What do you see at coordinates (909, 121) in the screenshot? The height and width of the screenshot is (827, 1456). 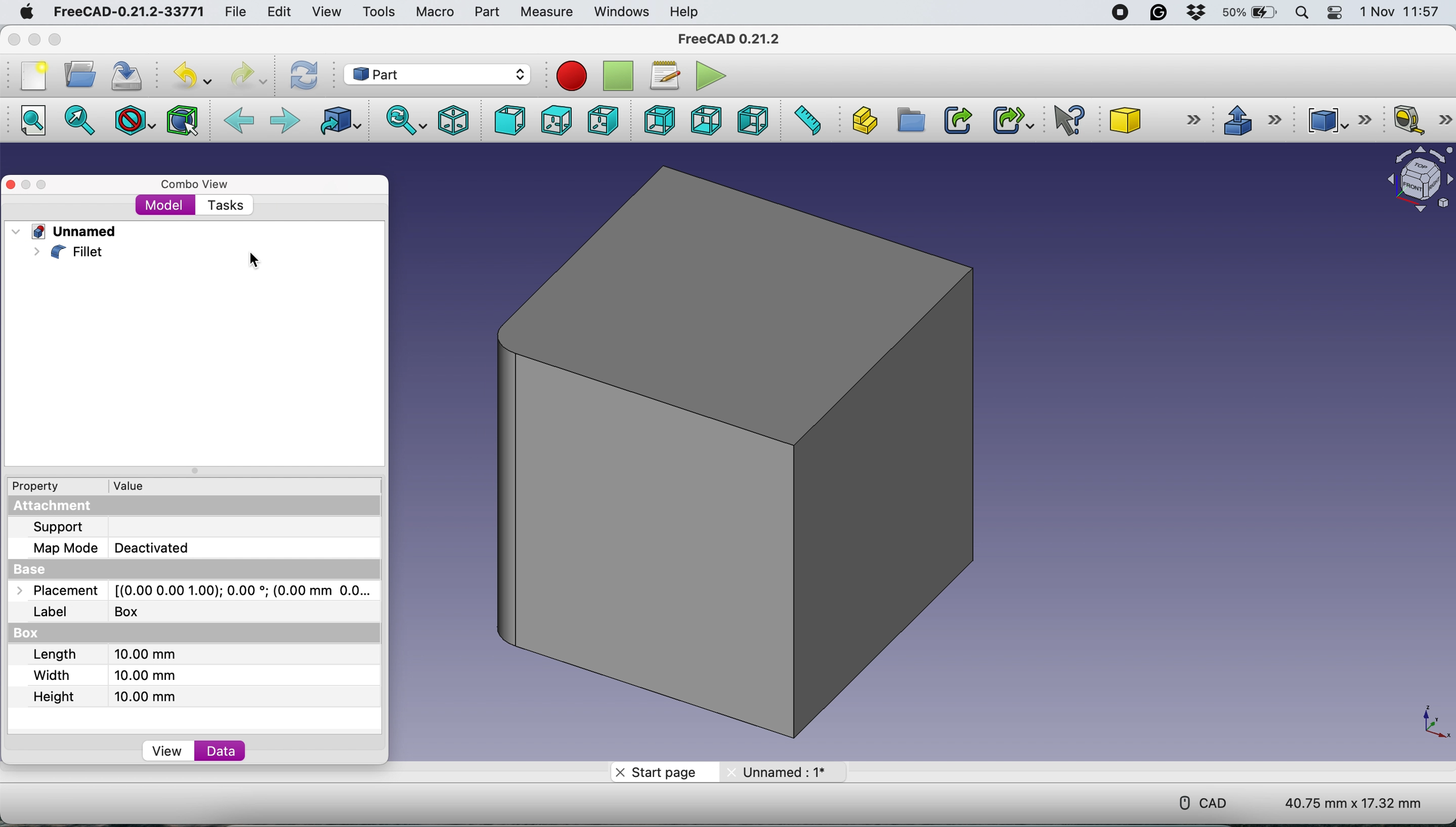 I see `create group` at bounding box center [909, 121].